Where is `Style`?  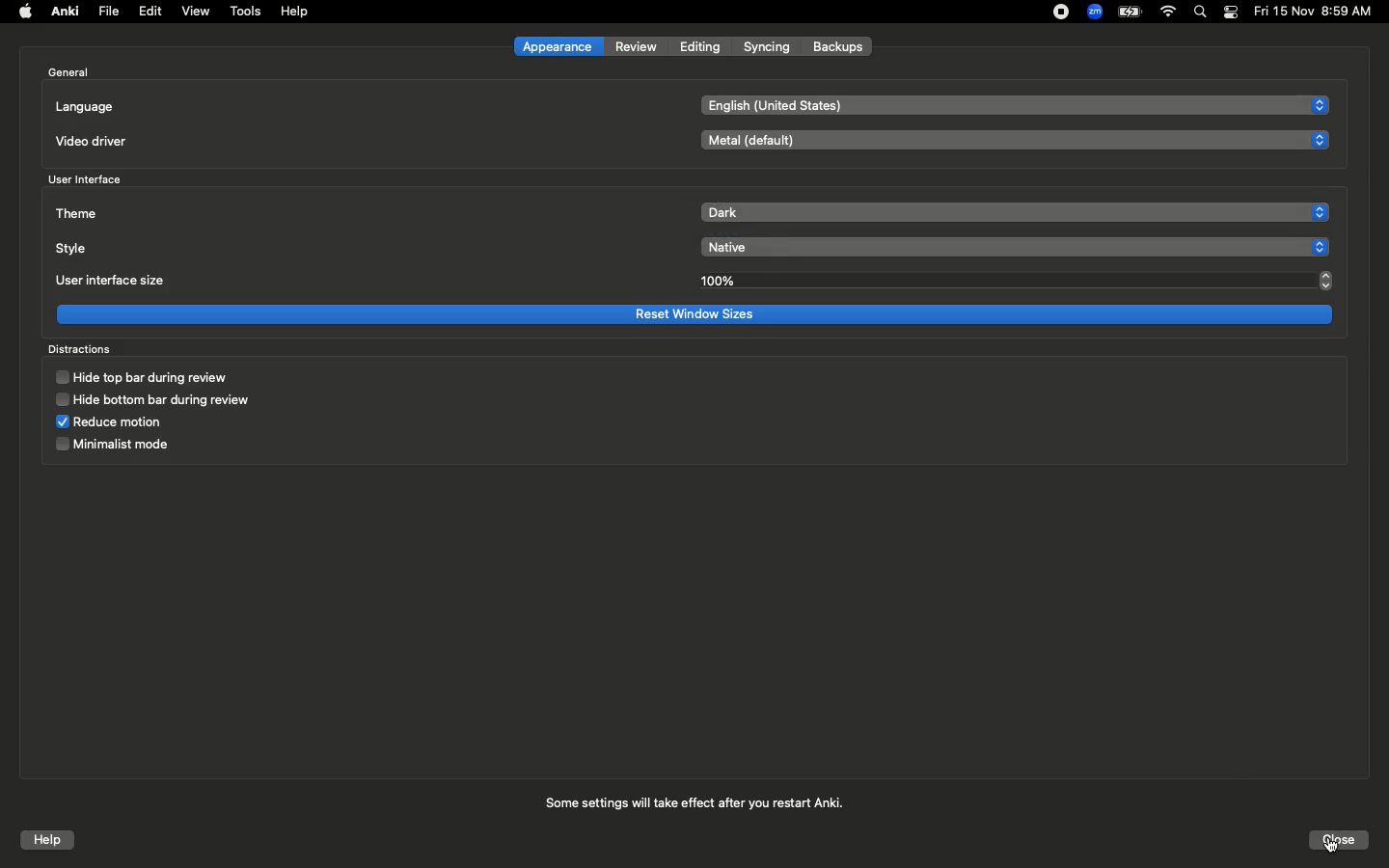 Style is located at coordinates (72, 249).